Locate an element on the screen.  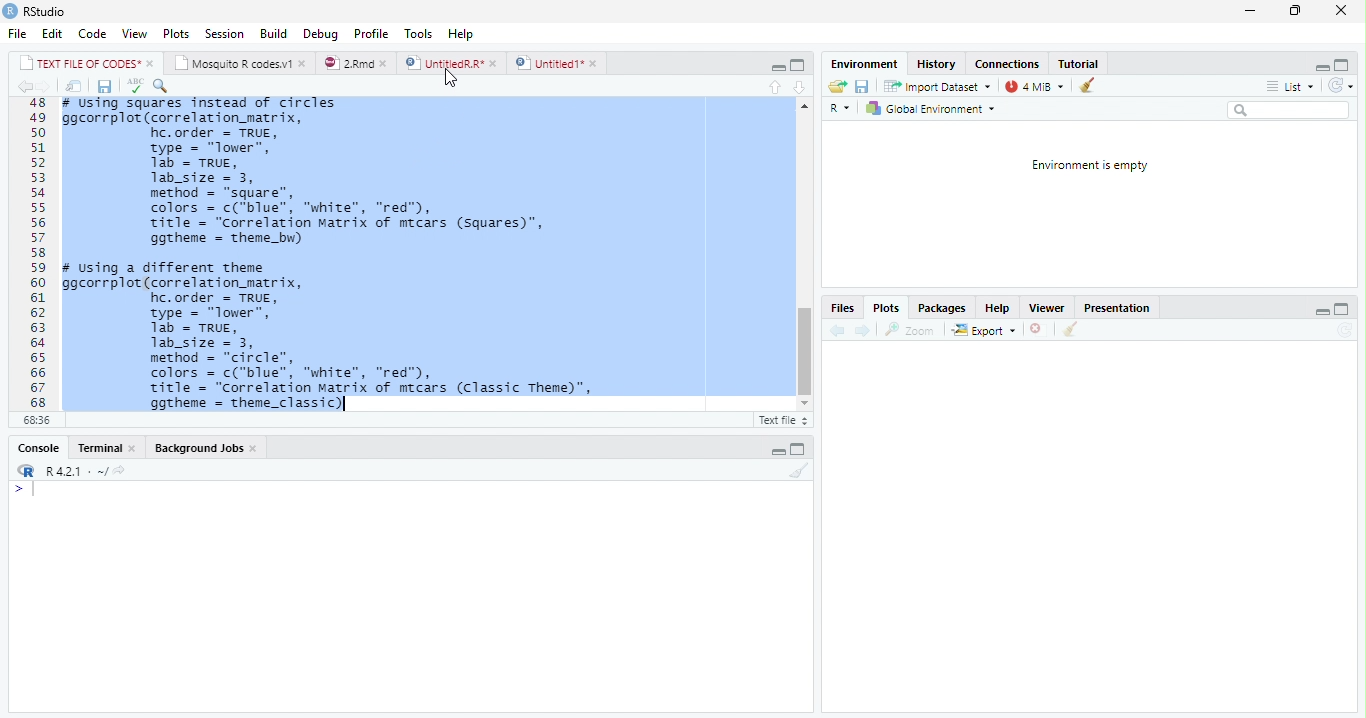
68:36 is located at coordinates (35, 422).